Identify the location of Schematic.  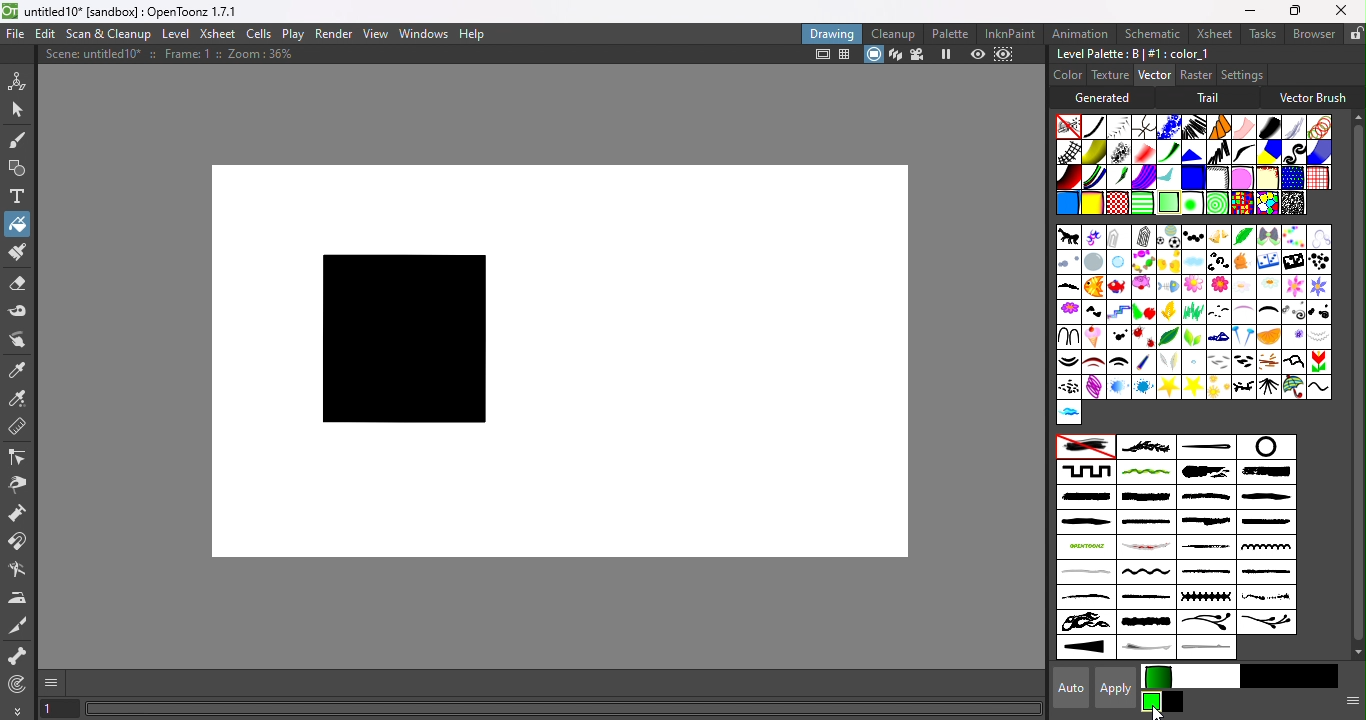
(1151, 34).